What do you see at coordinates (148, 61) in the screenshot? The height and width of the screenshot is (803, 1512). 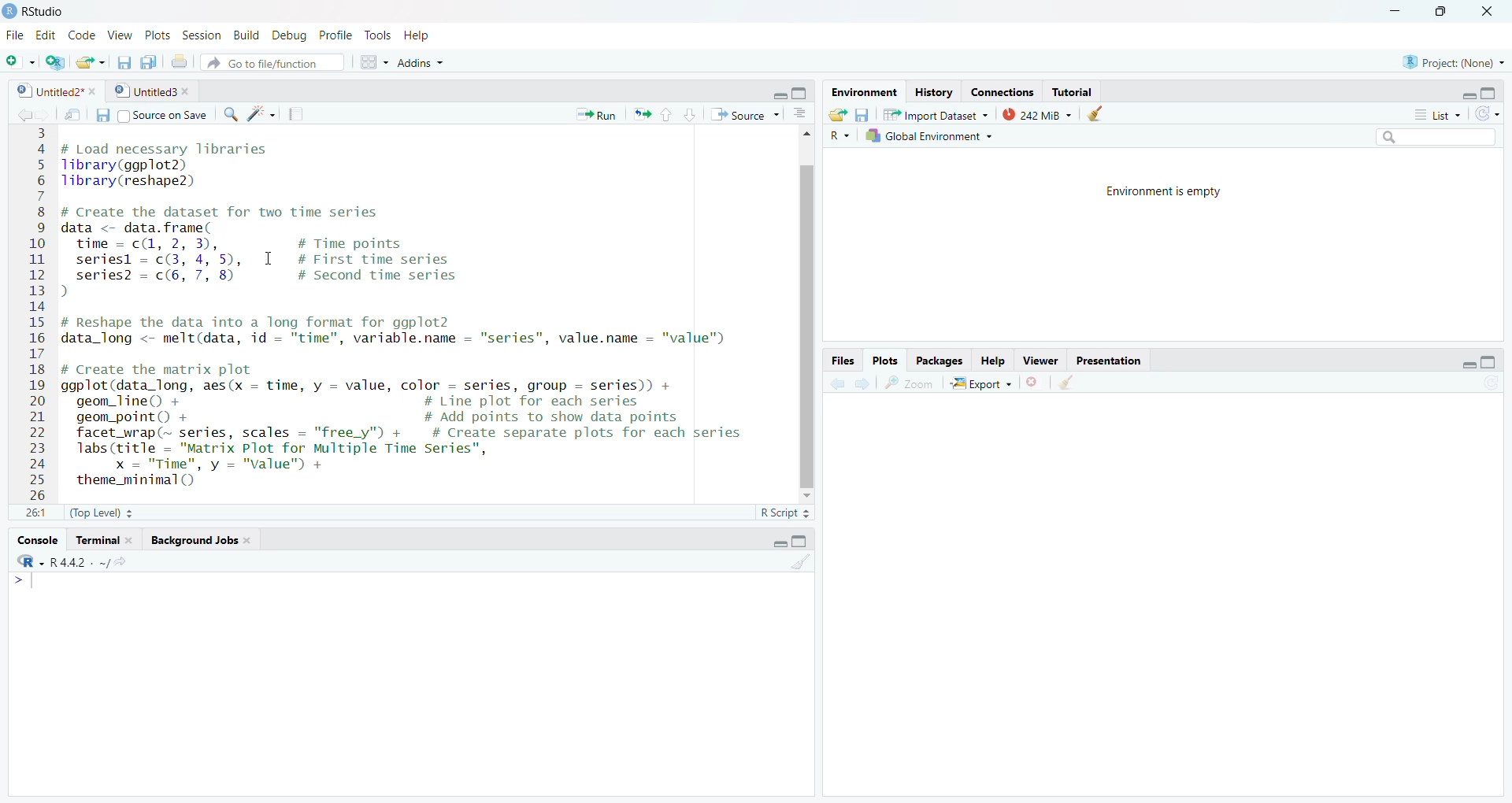 I see `save all open documents` at bounding box center [148, 61].